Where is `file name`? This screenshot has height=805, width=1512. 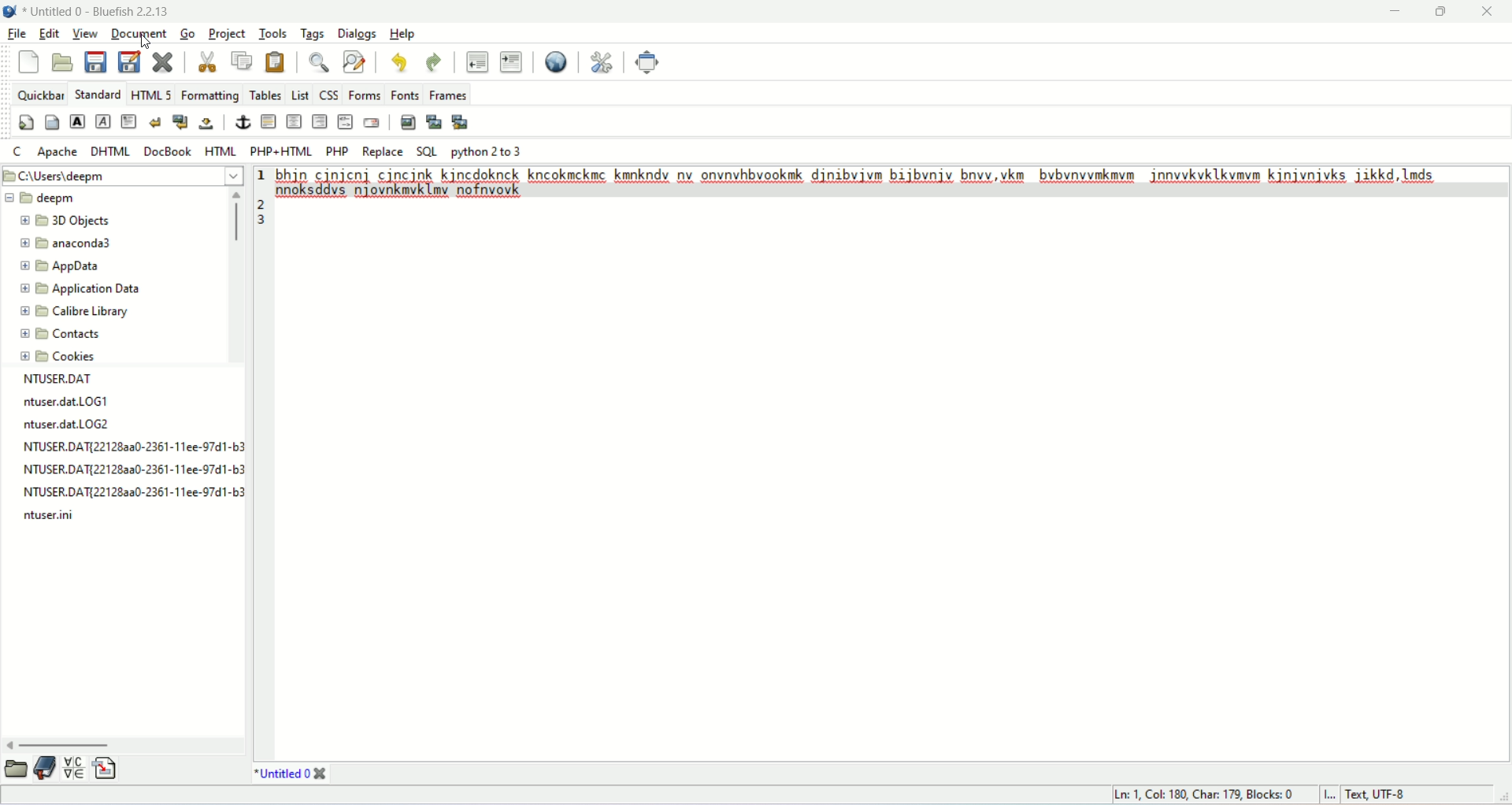
file name is located at coordinates (67, 423).